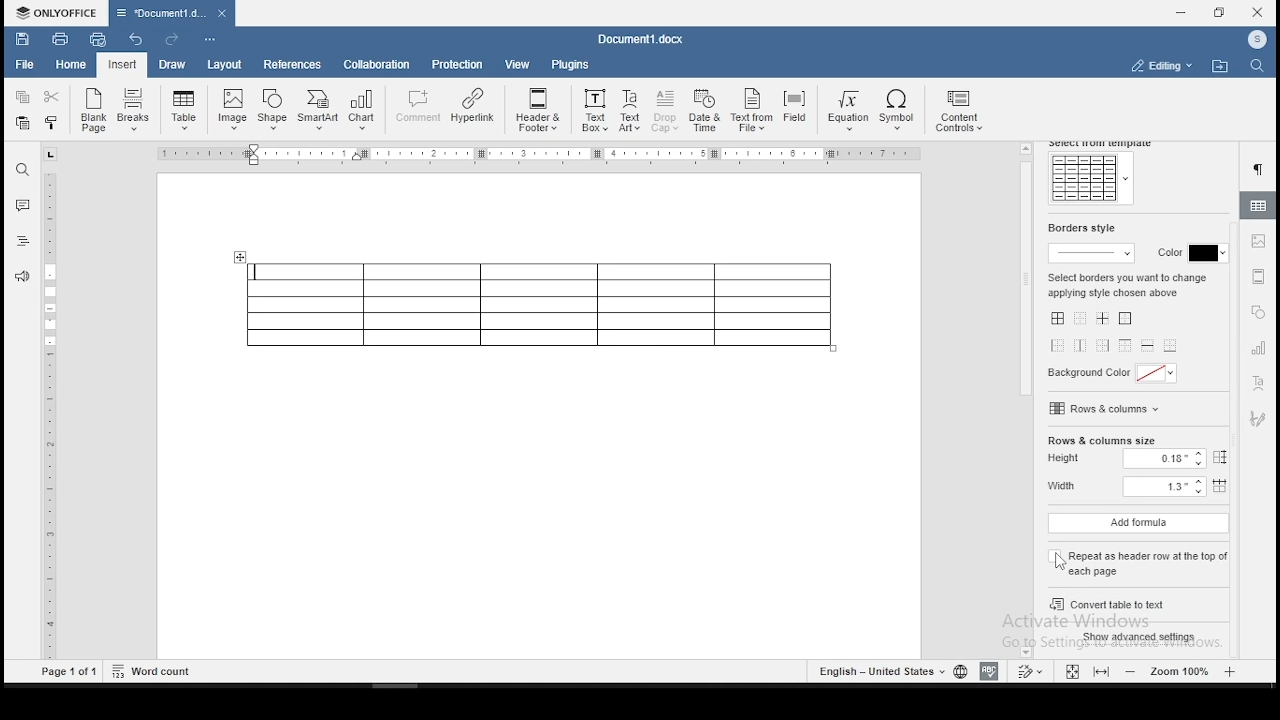  What do you see at coordinates (1032, 670) in the screenshot?
I see `track changes` at bounding box center [1032, 670].